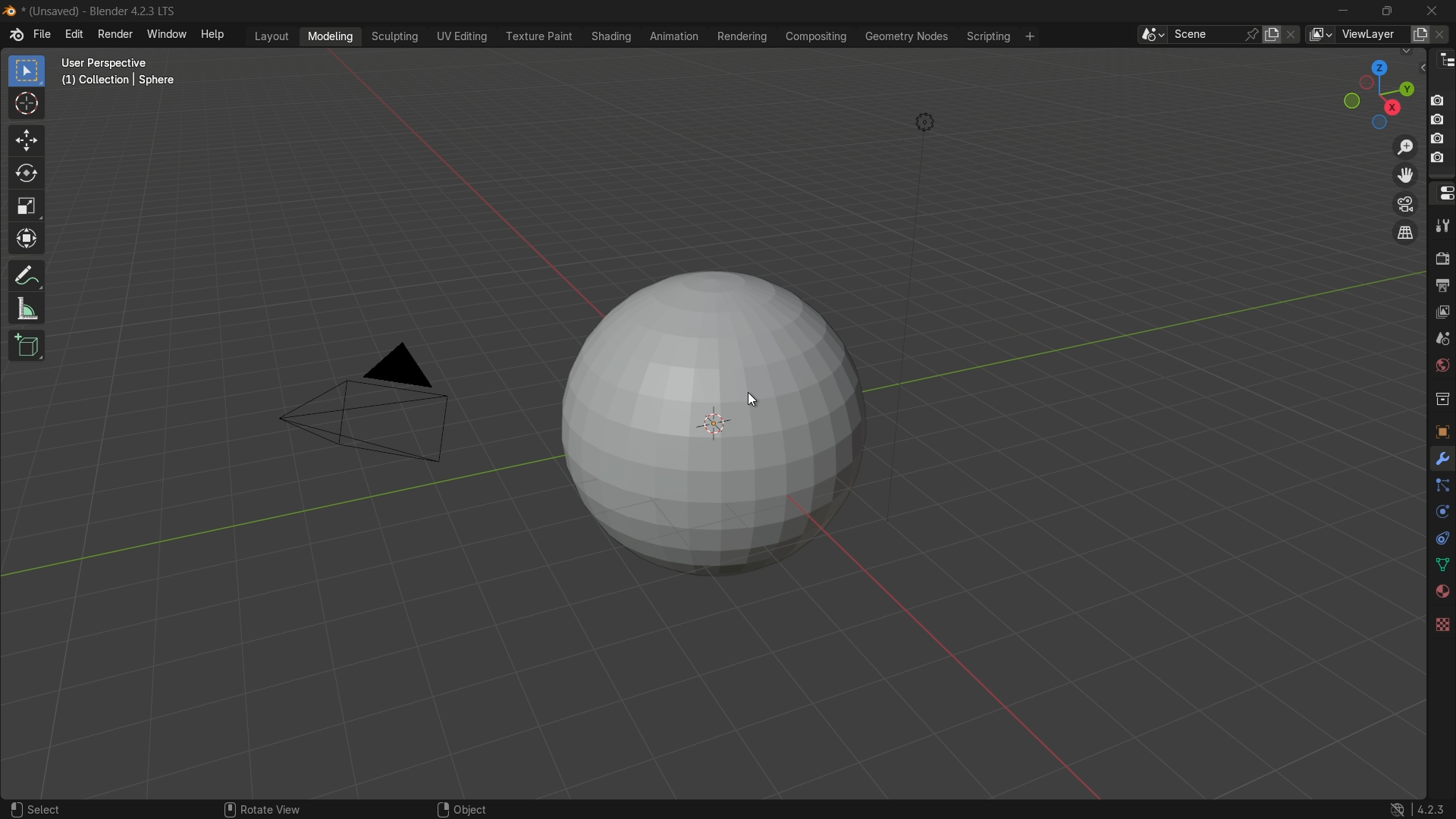 The image size is (1456, 819). What do you see at coordinates (1150, 35) in the screenshot?
I see `browse scenes` at bounding box center [1150, 35].